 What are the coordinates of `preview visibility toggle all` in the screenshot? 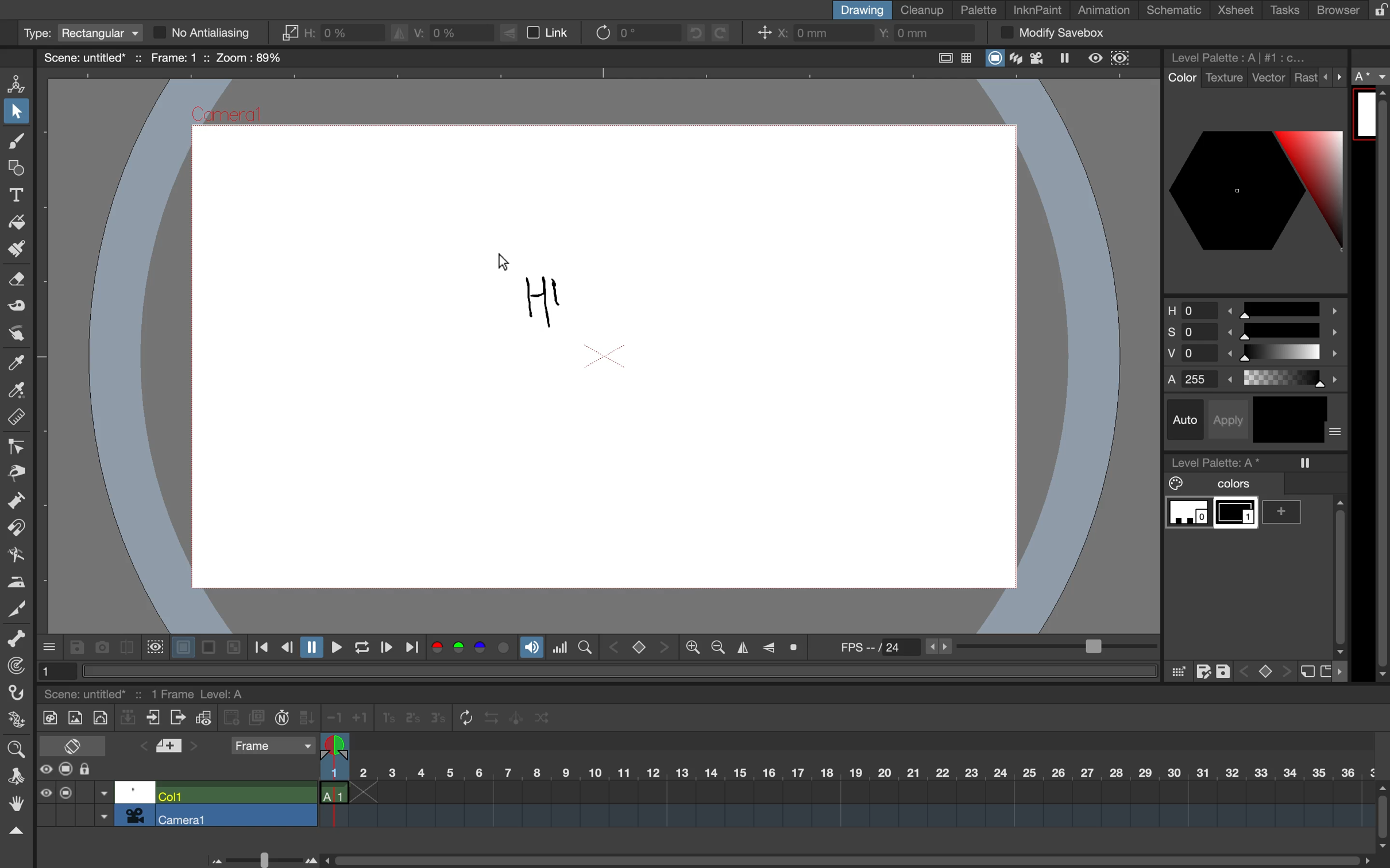 It's located at (45, 793).